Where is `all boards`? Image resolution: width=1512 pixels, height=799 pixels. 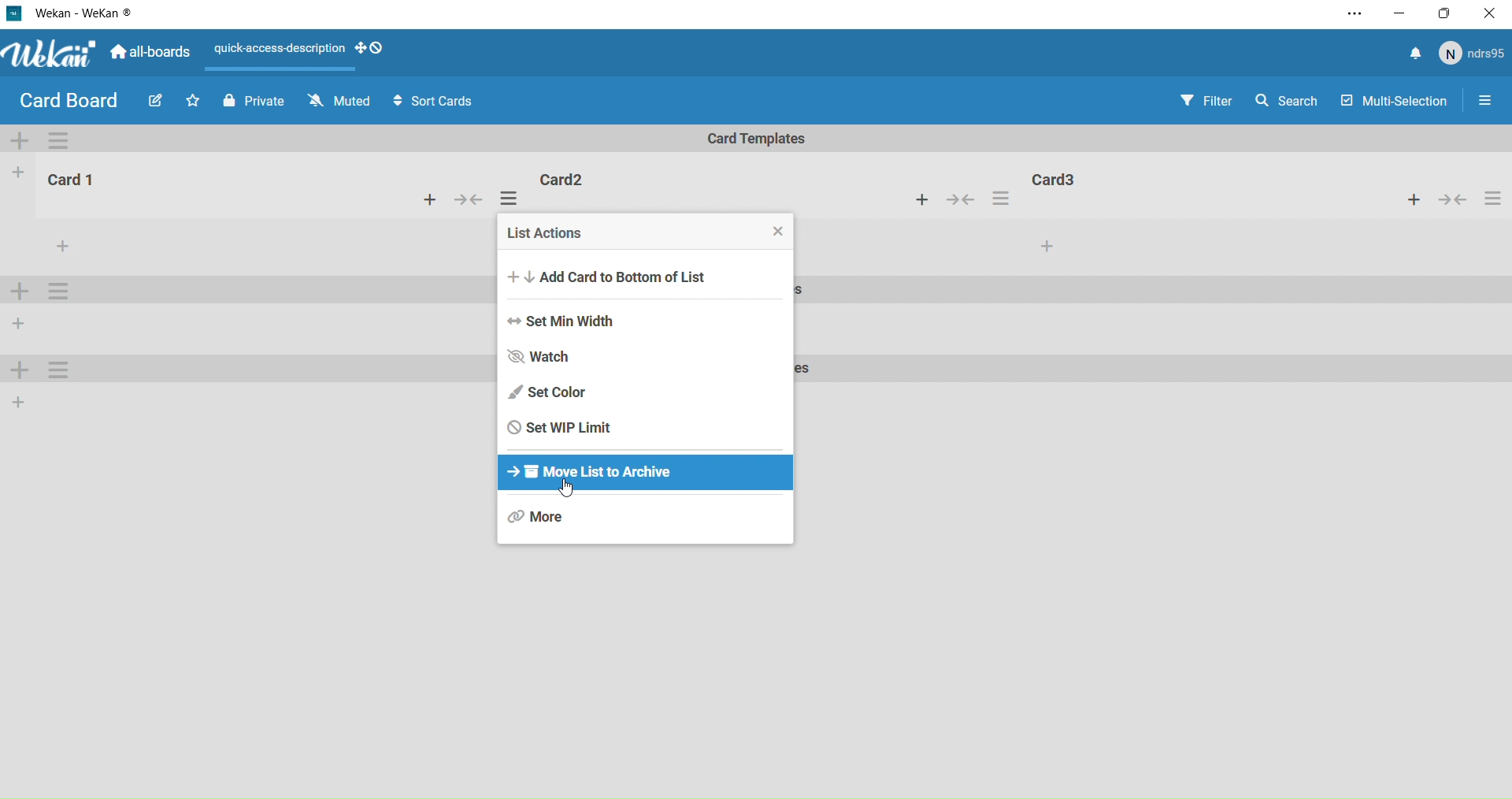 all boards is located at coordinates (150, 57).